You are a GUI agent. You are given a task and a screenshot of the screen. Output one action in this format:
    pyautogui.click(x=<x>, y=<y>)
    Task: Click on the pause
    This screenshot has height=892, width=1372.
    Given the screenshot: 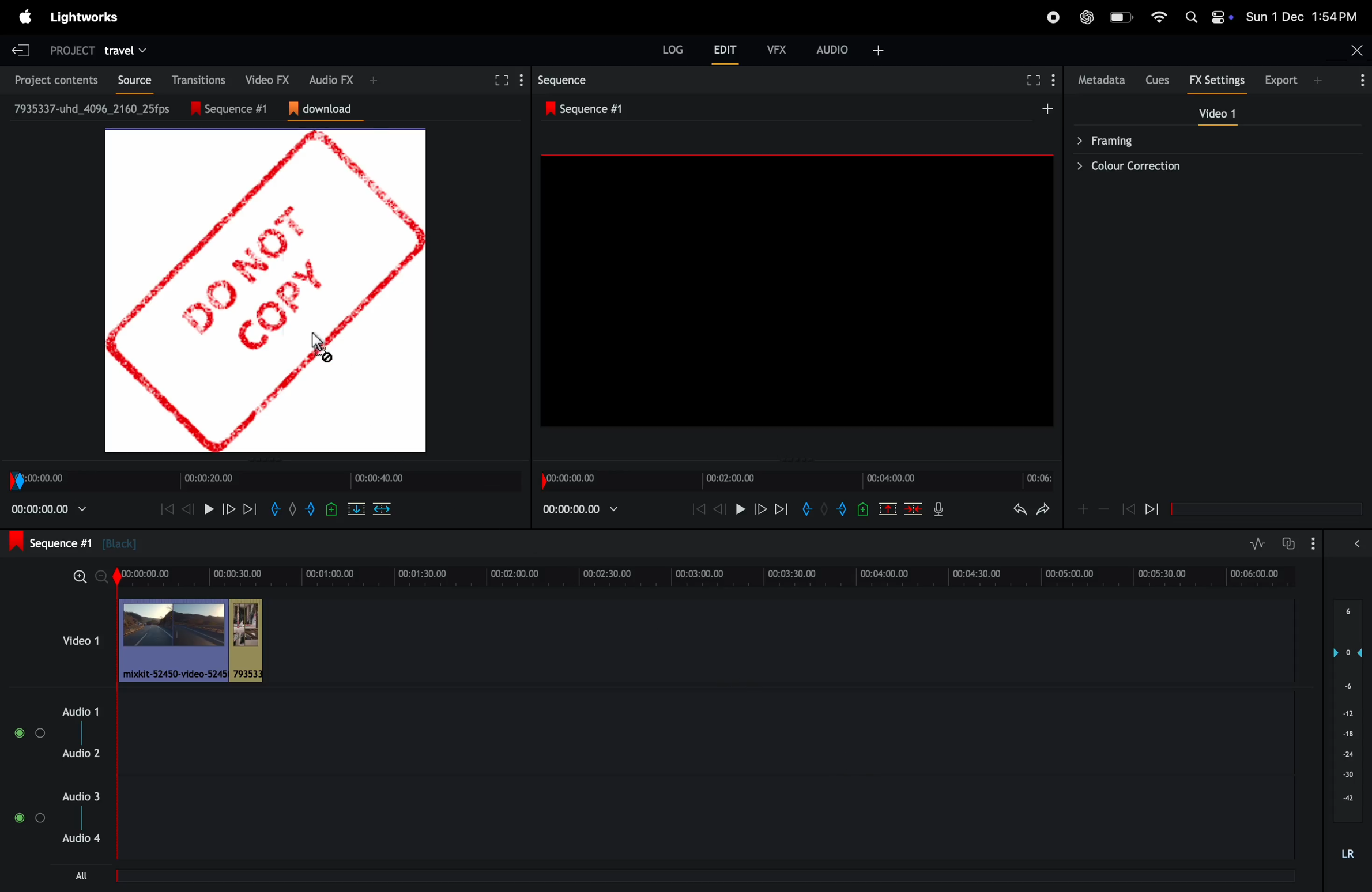 What is the action you would take?
    pyautogui.click(x=209, y=509)
    